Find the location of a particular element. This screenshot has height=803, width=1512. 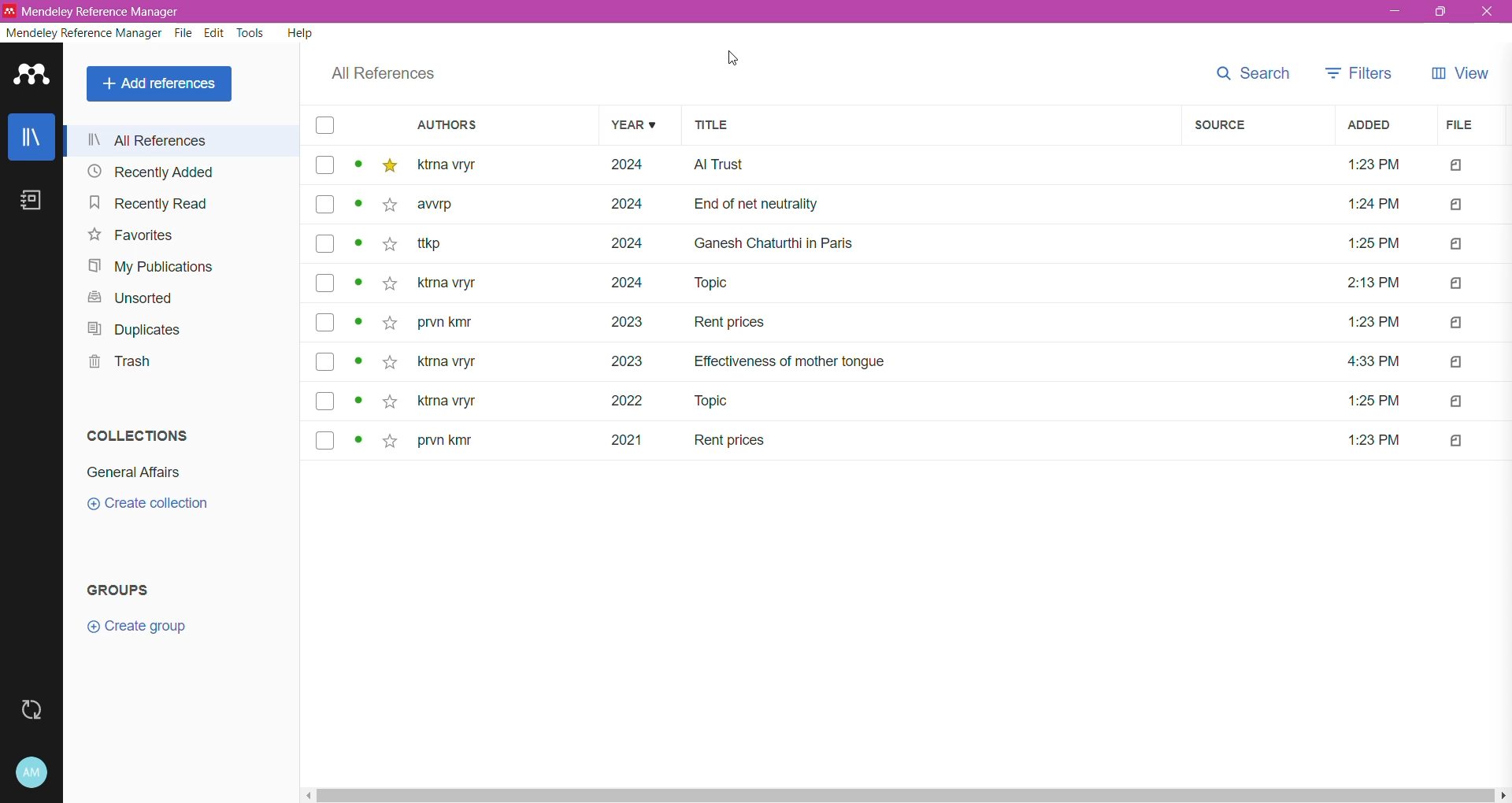

1:25 PM is located at coordinates (1373, 242).